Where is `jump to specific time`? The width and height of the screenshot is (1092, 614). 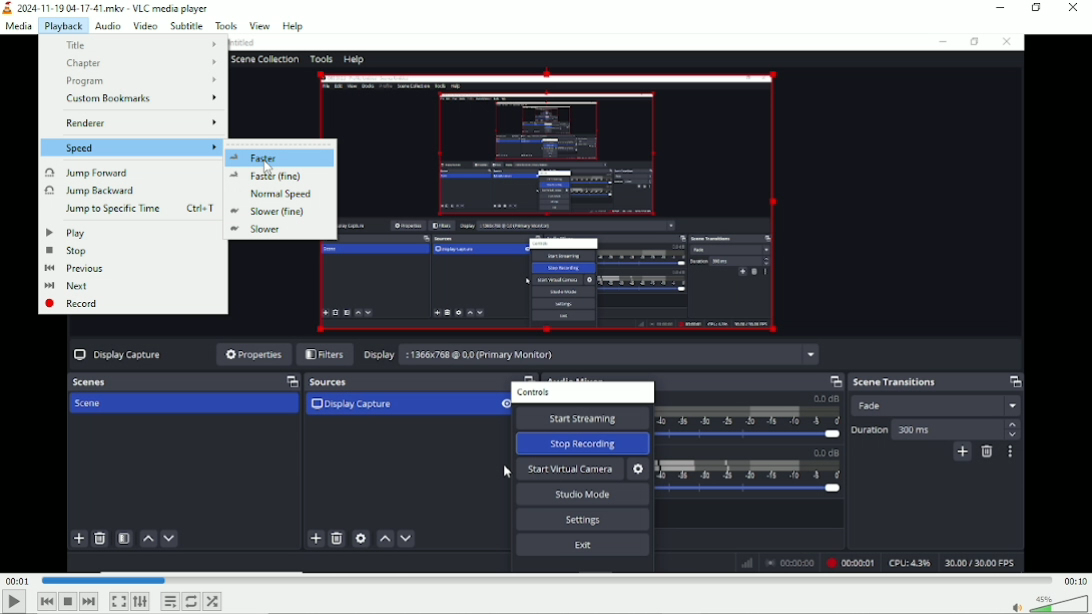 jump to specific time is located at coordinates (132, 208).